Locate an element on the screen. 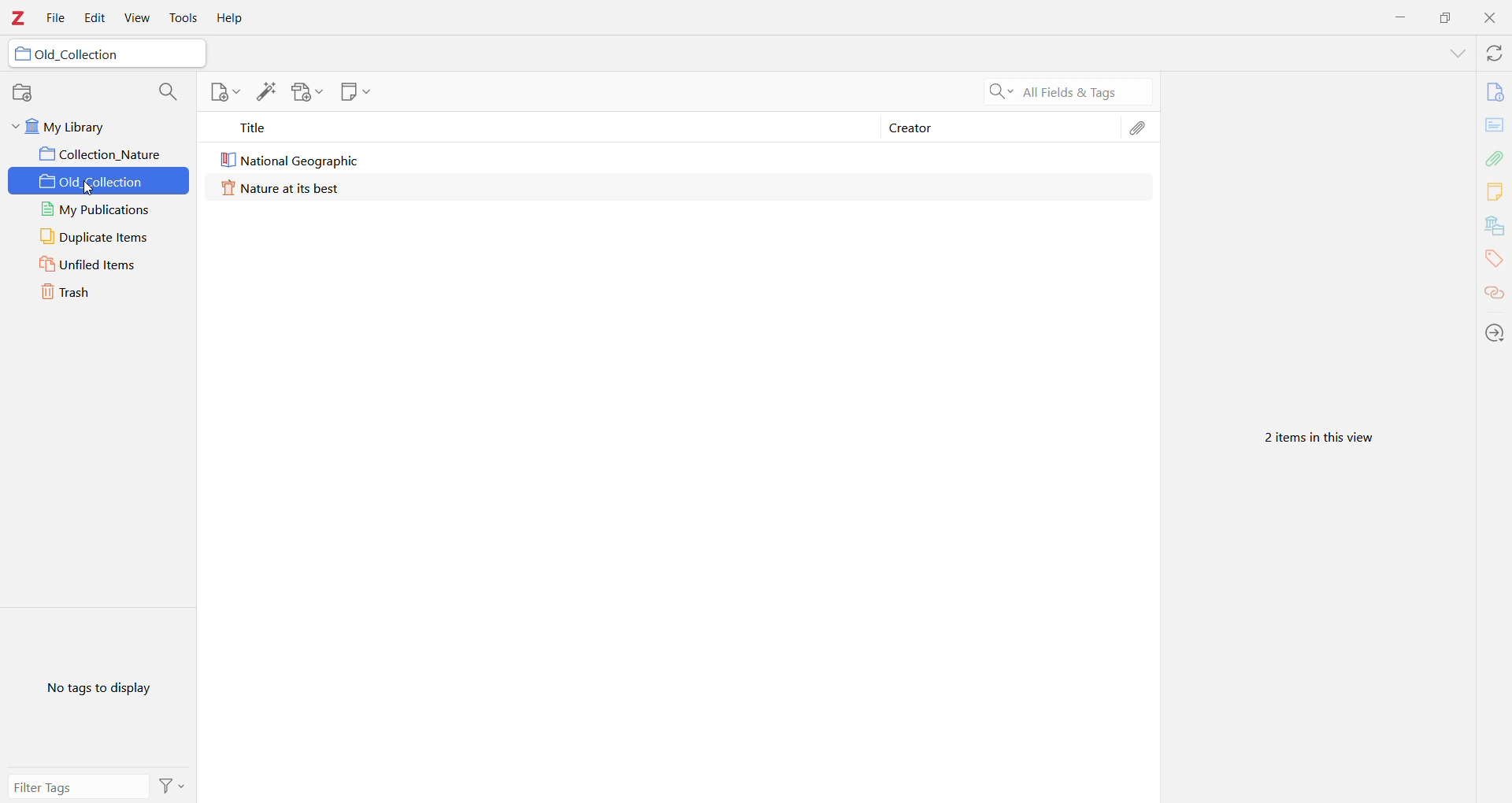 The width and height of the screenshot is (1512, 803). My Library is located at coordinates (98, 124).